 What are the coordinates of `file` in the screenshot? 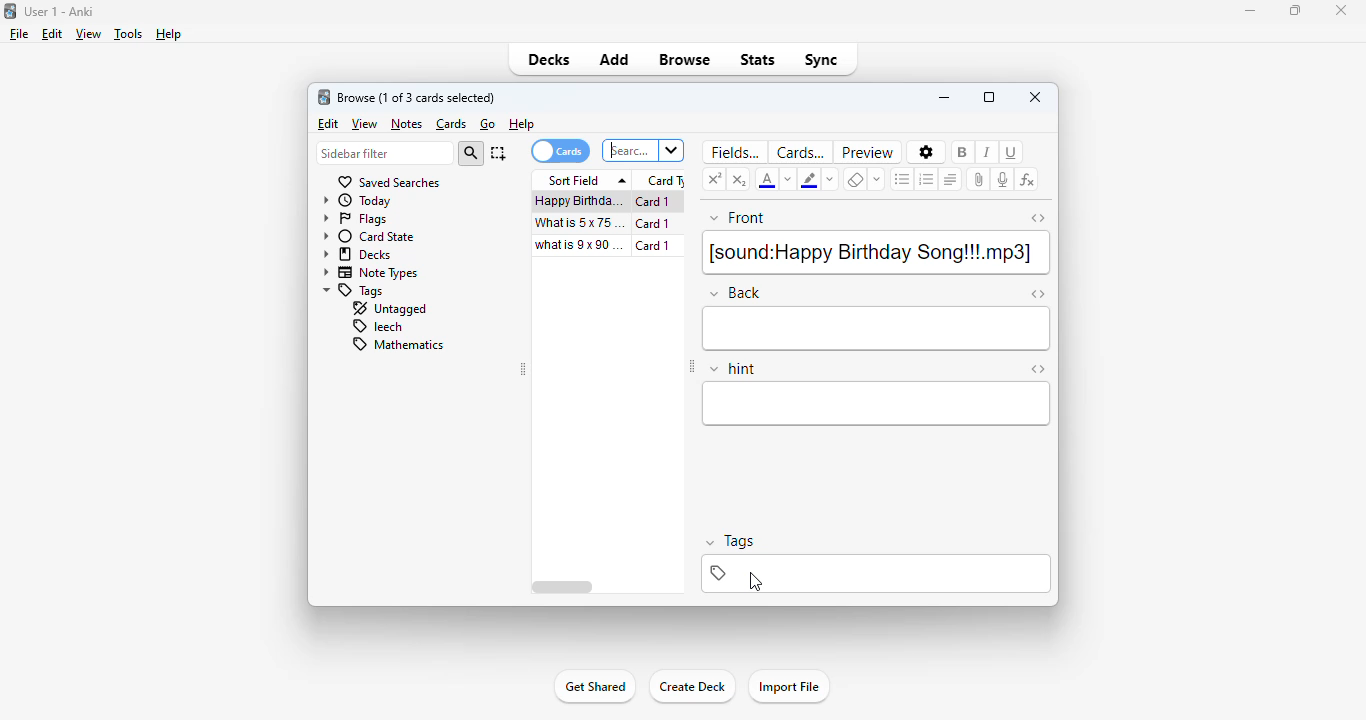 It's located at (19, 34).